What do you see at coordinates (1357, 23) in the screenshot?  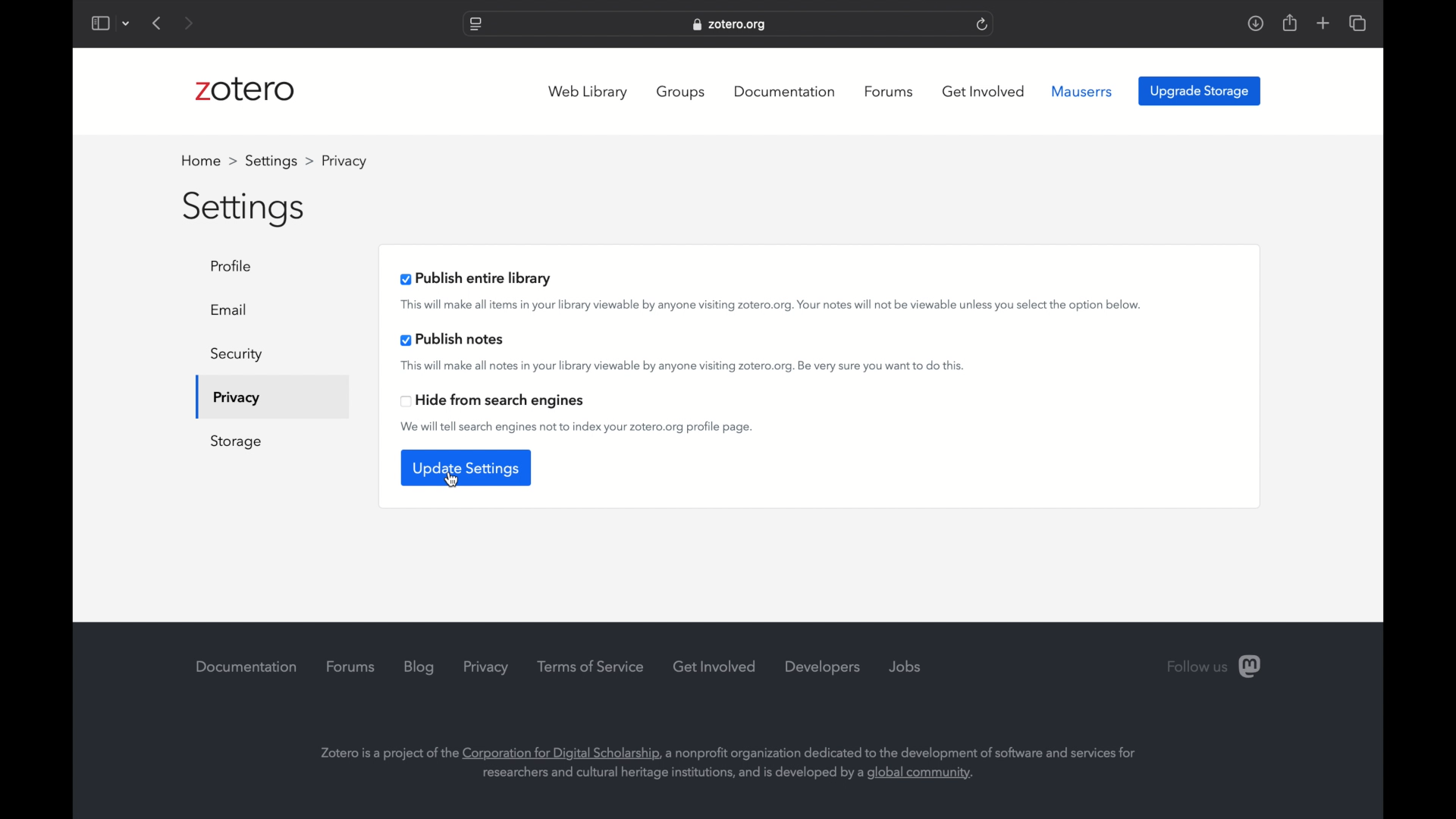 I see `show tab overview` at bounding box center [1357, 23].